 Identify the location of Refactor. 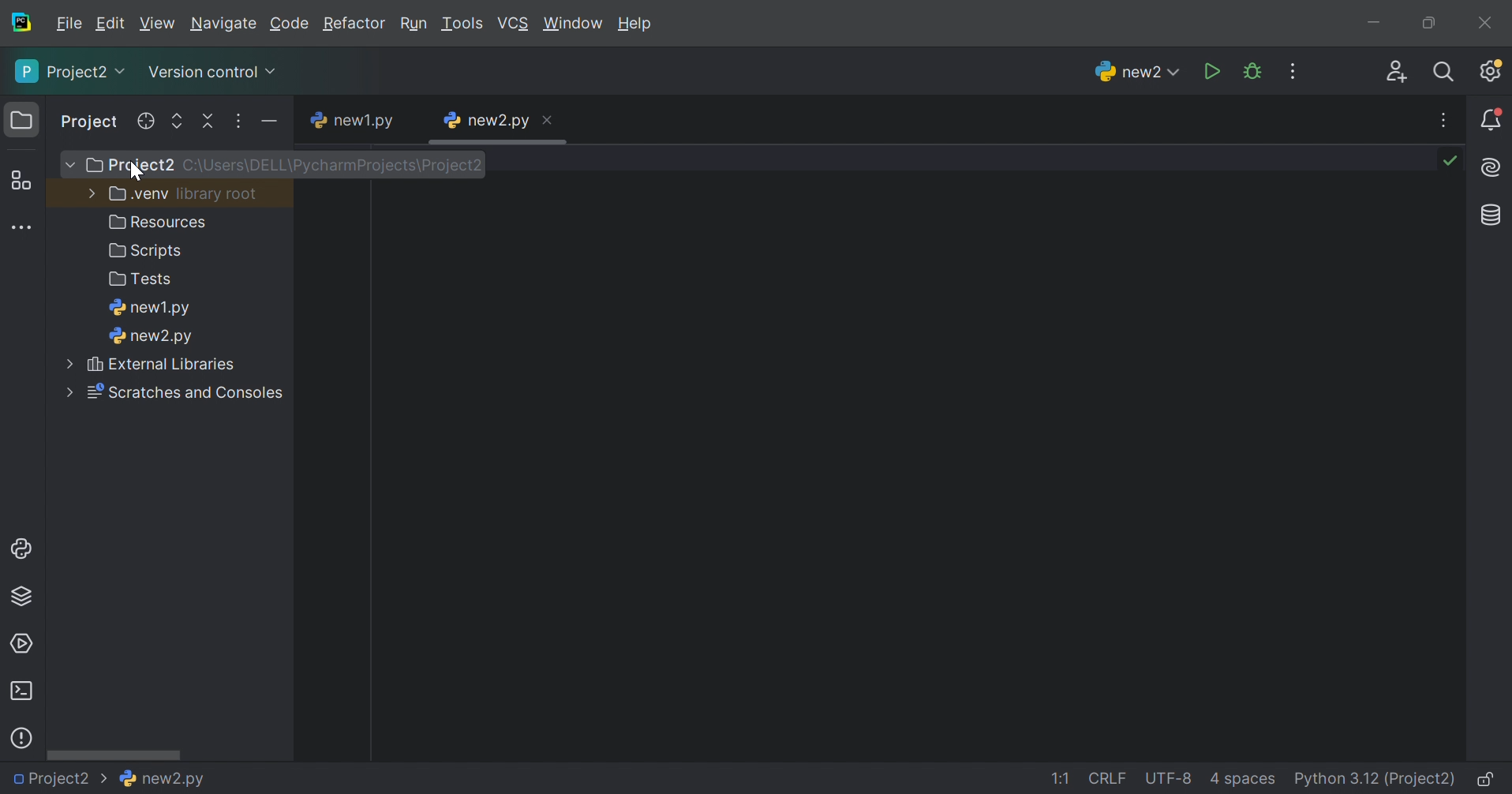
(354, 25).